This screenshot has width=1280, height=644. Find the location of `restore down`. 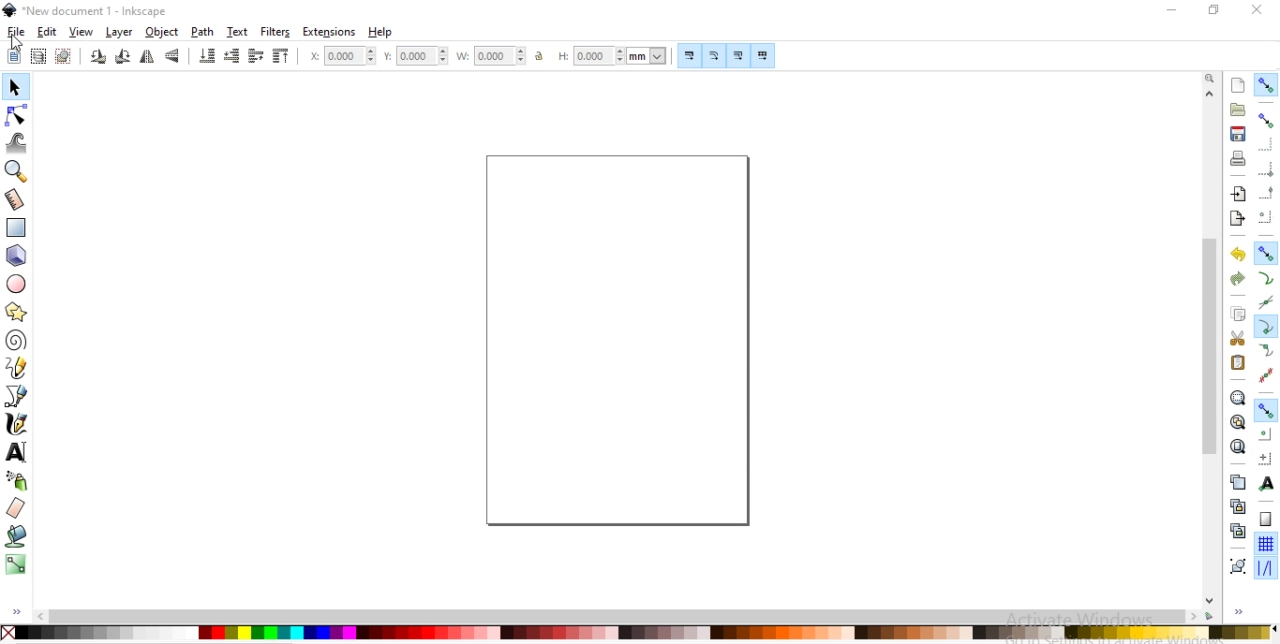

restore down is located at coordinates (1210, 9).